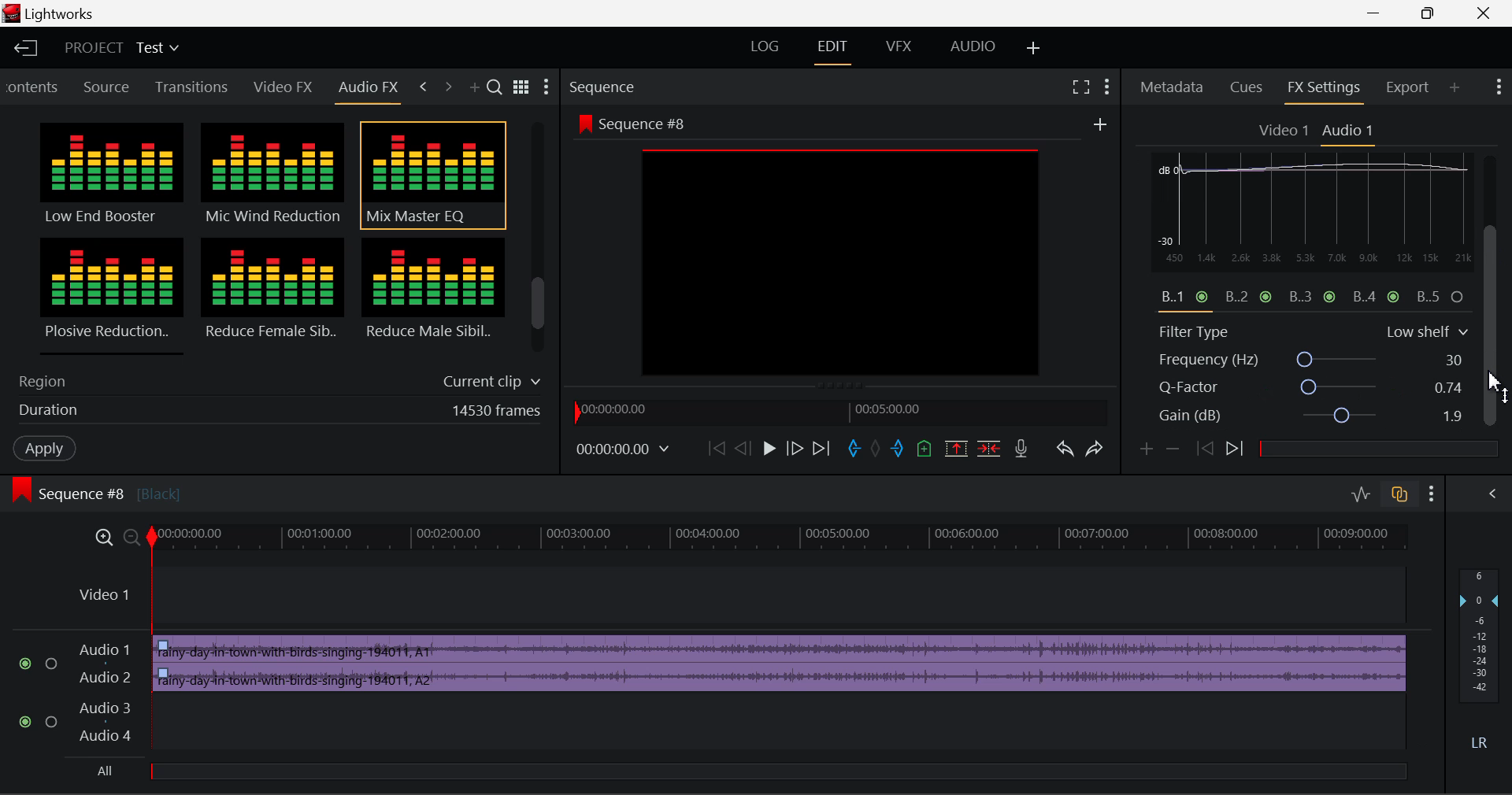 This screenshot has width=1512, height=795. Describe the element at coordinates (838, 51) in the screenshot. I see `EDIT Layout` at that location.